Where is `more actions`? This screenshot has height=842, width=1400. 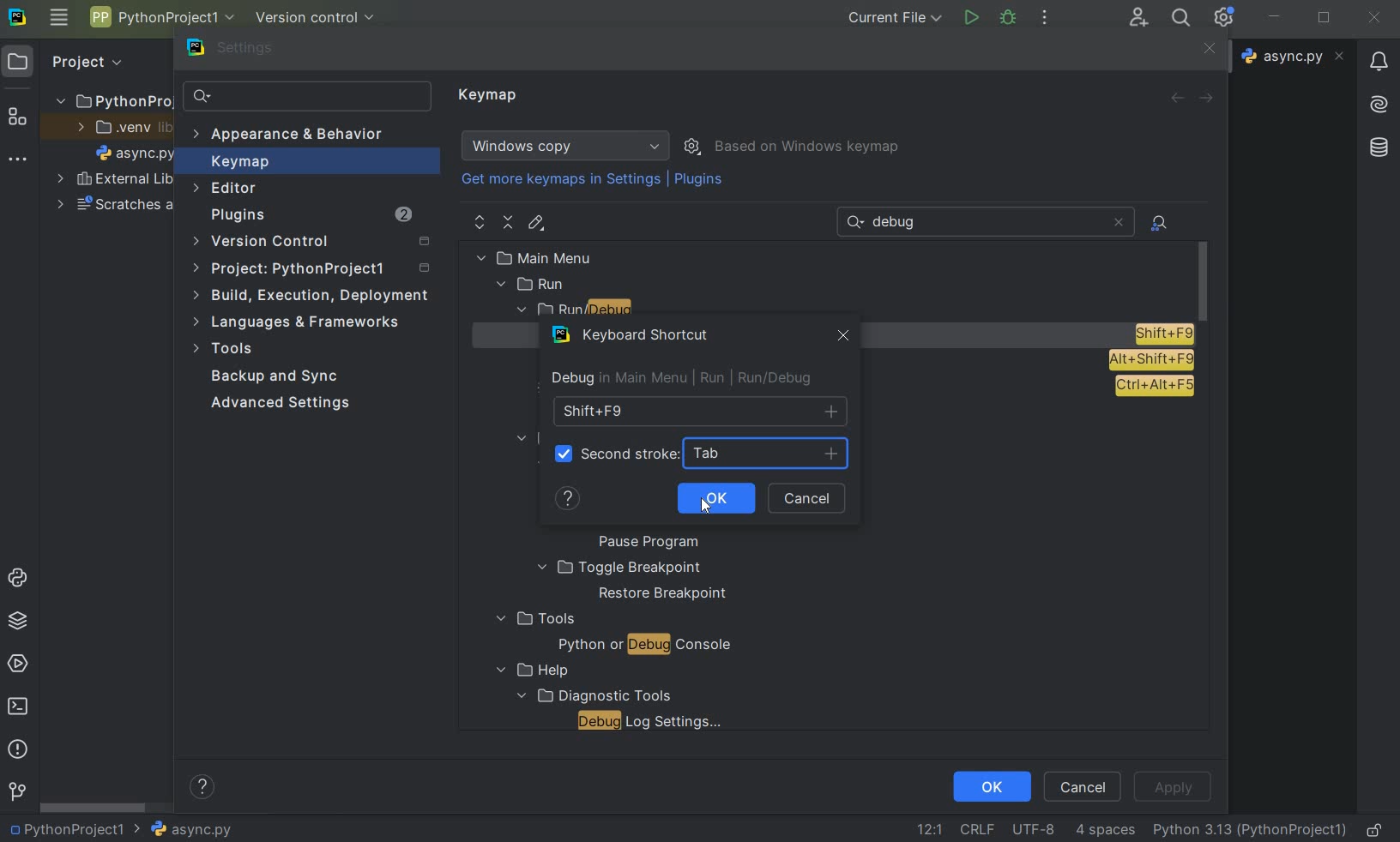 more actions is located at coordinates (1044, 19).